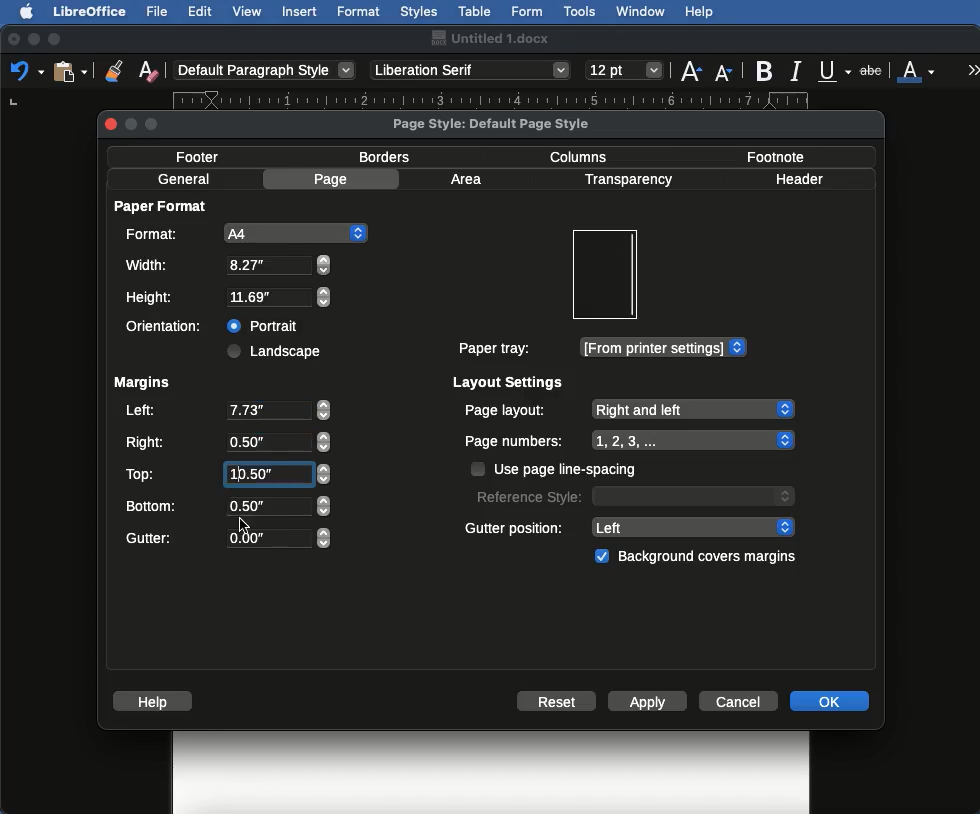  Describe the element at coordinates (527, 12) in the screenshot. I see `Form` at that location.